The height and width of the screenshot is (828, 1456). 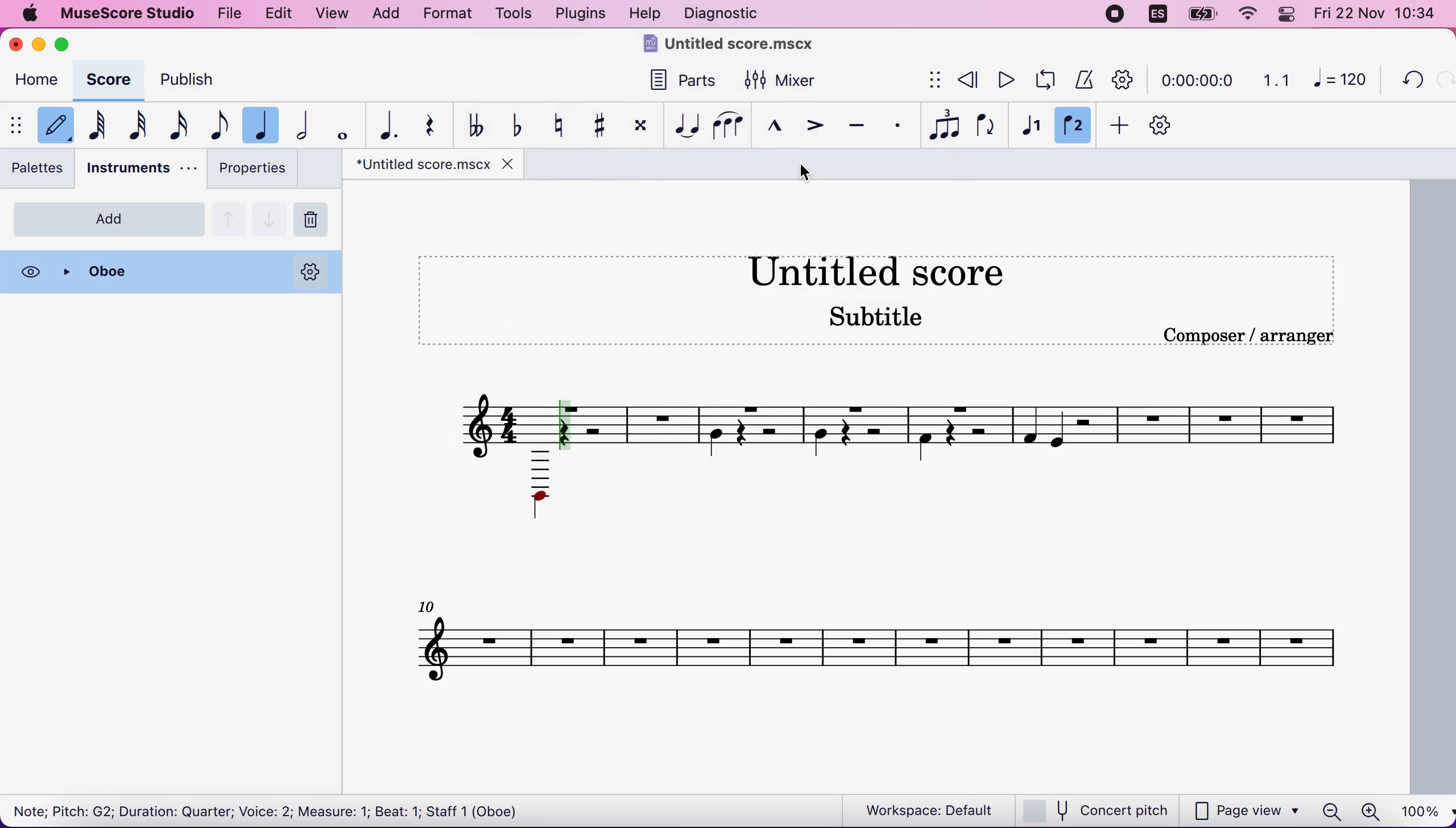 I want to click on half note, so click(x=303, y=123).